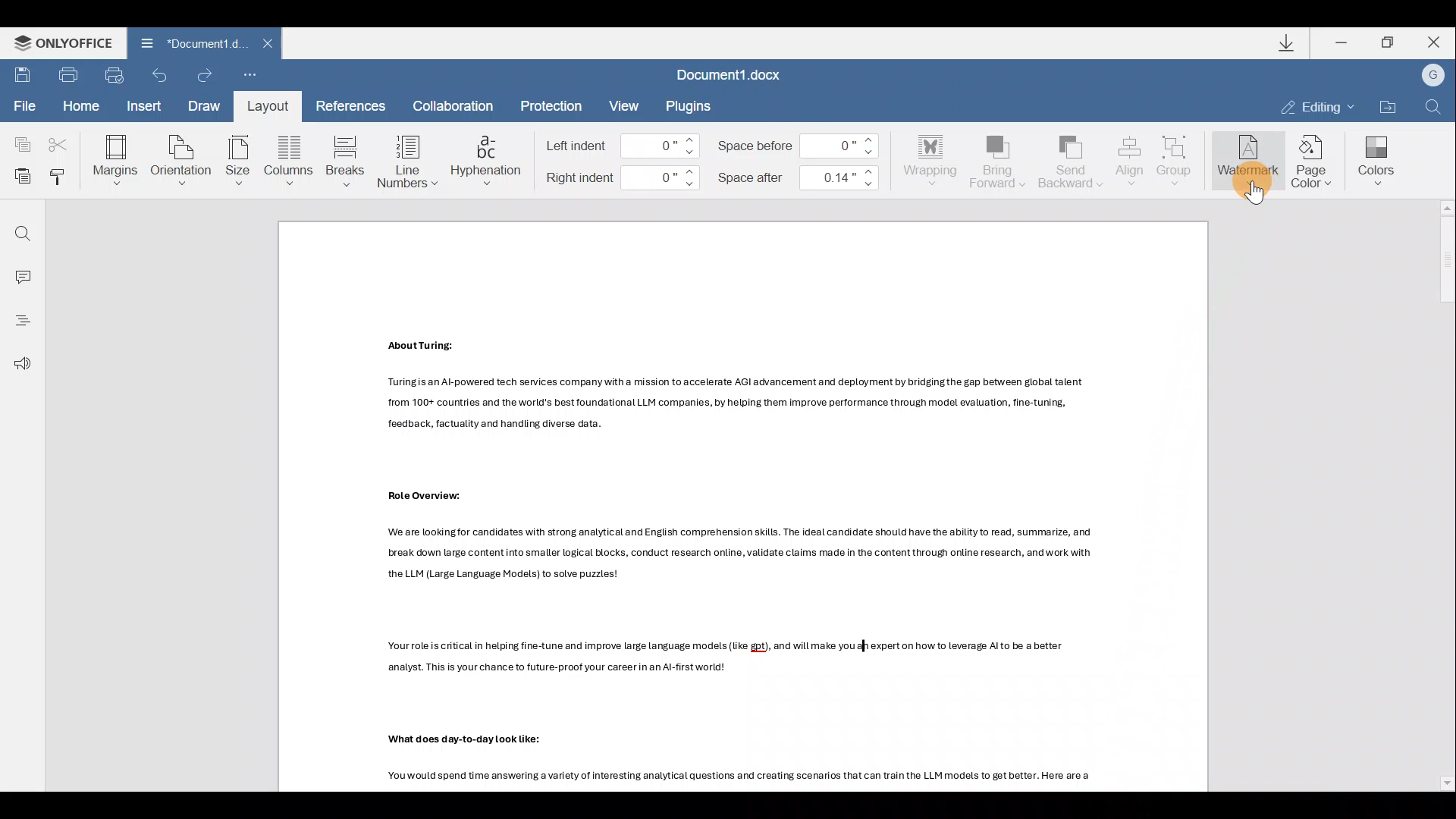  What do you see at coordinates (1072, 160) in the screenshot?
I see `Send backward` at bounding box center [1072, 160].